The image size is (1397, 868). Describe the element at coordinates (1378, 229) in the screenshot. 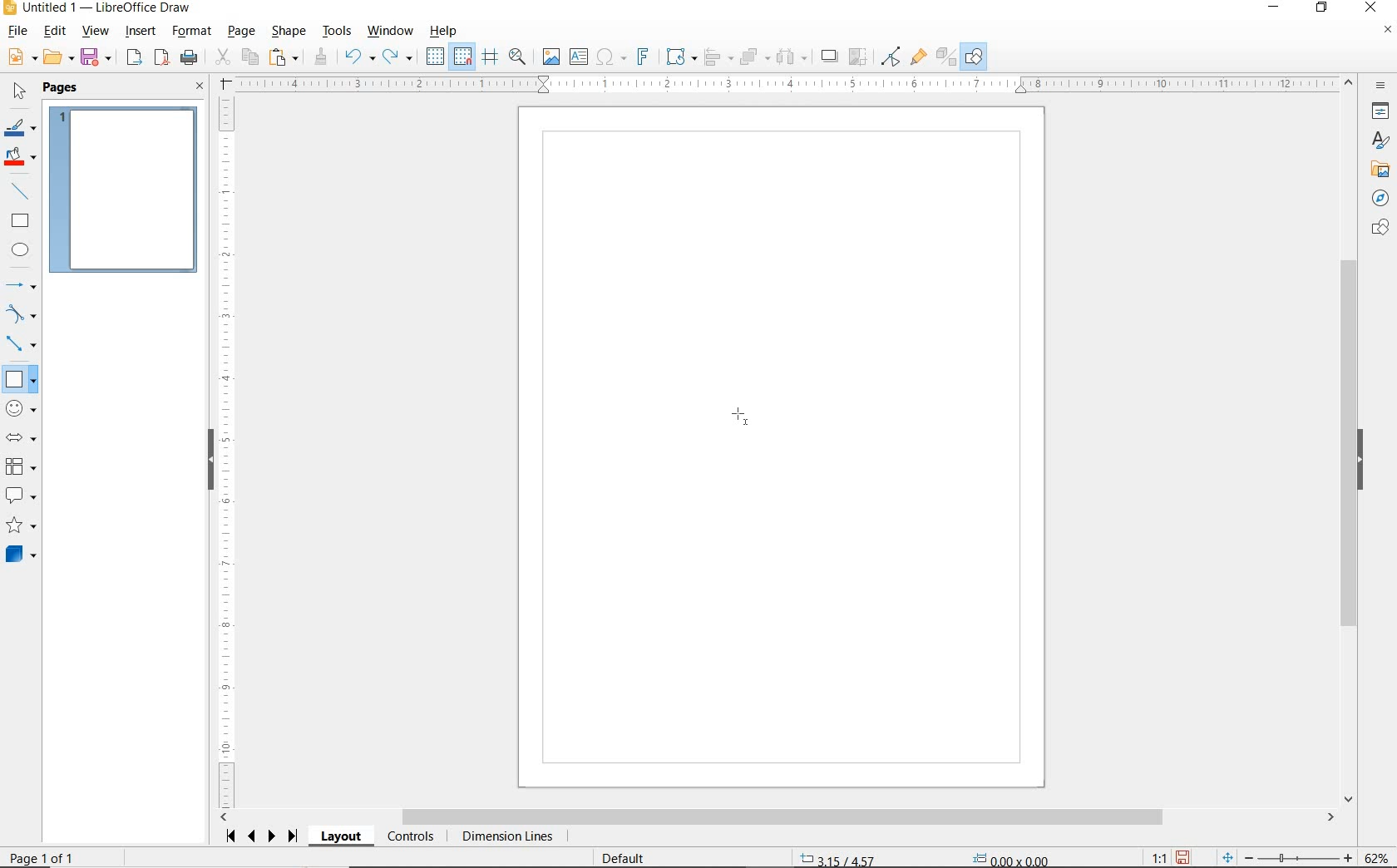

I see `SHAPES` at that location.